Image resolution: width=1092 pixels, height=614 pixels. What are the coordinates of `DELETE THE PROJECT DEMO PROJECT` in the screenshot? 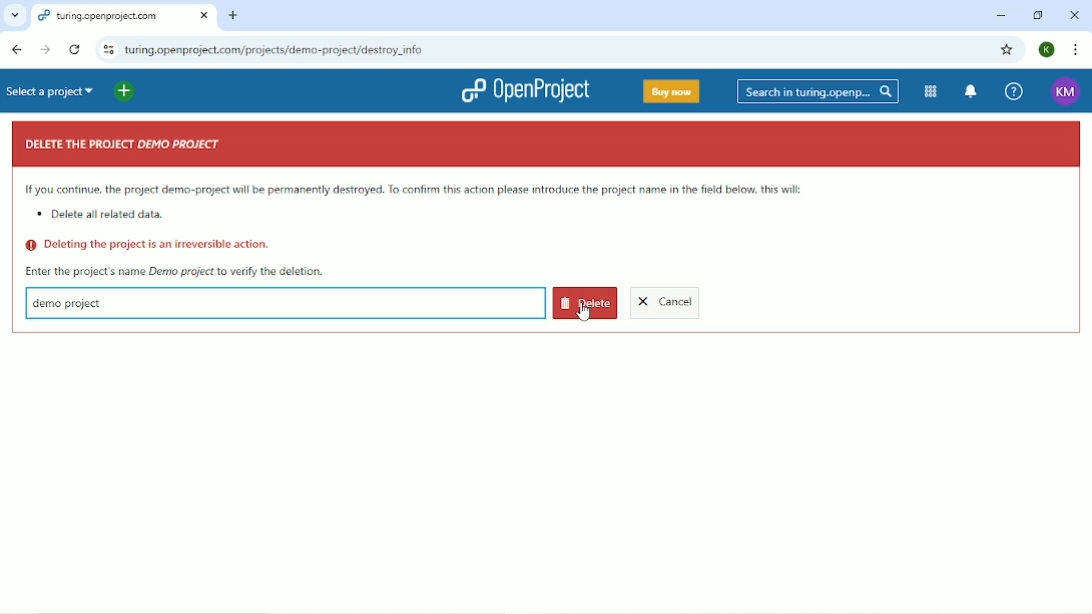 It's located at (125, 145).